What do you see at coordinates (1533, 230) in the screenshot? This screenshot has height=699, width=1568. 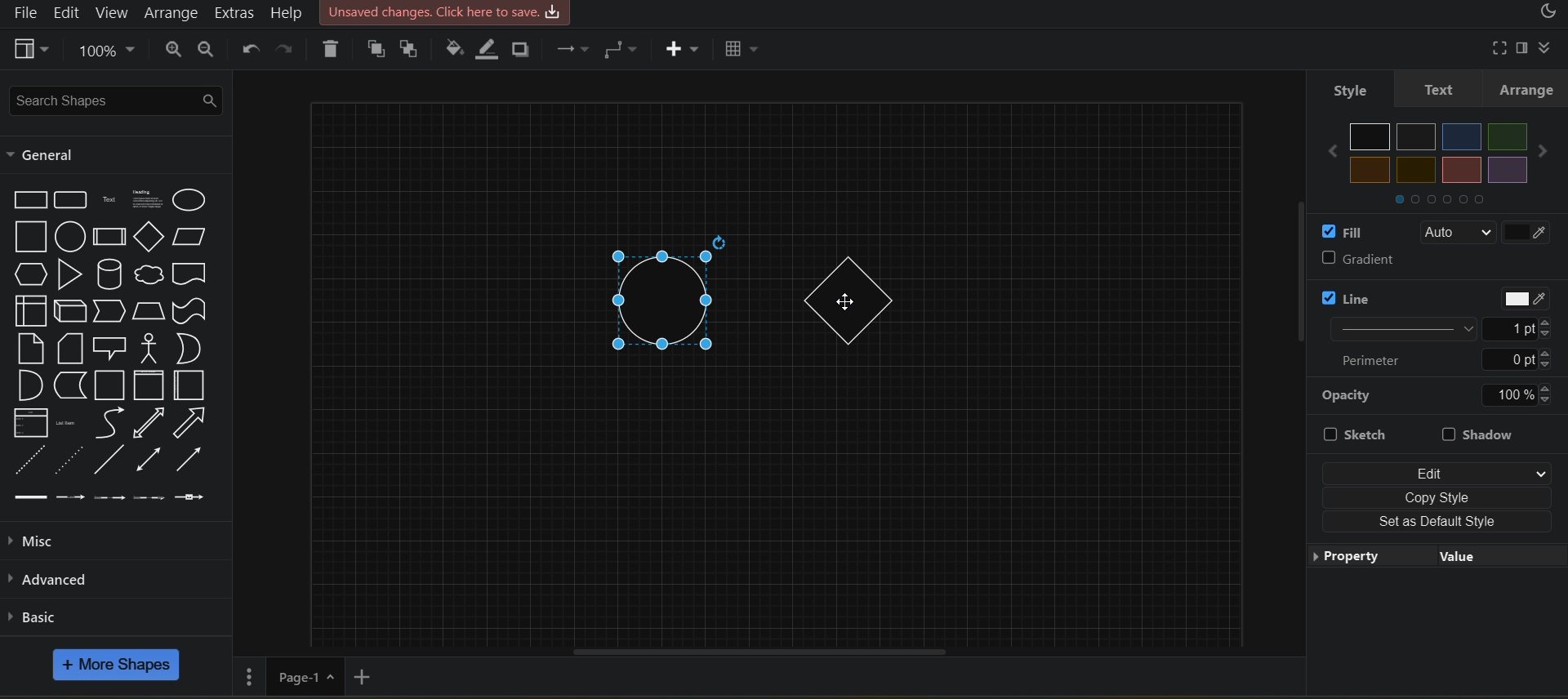 I see `fill color` at bounding box center [1533, 230].